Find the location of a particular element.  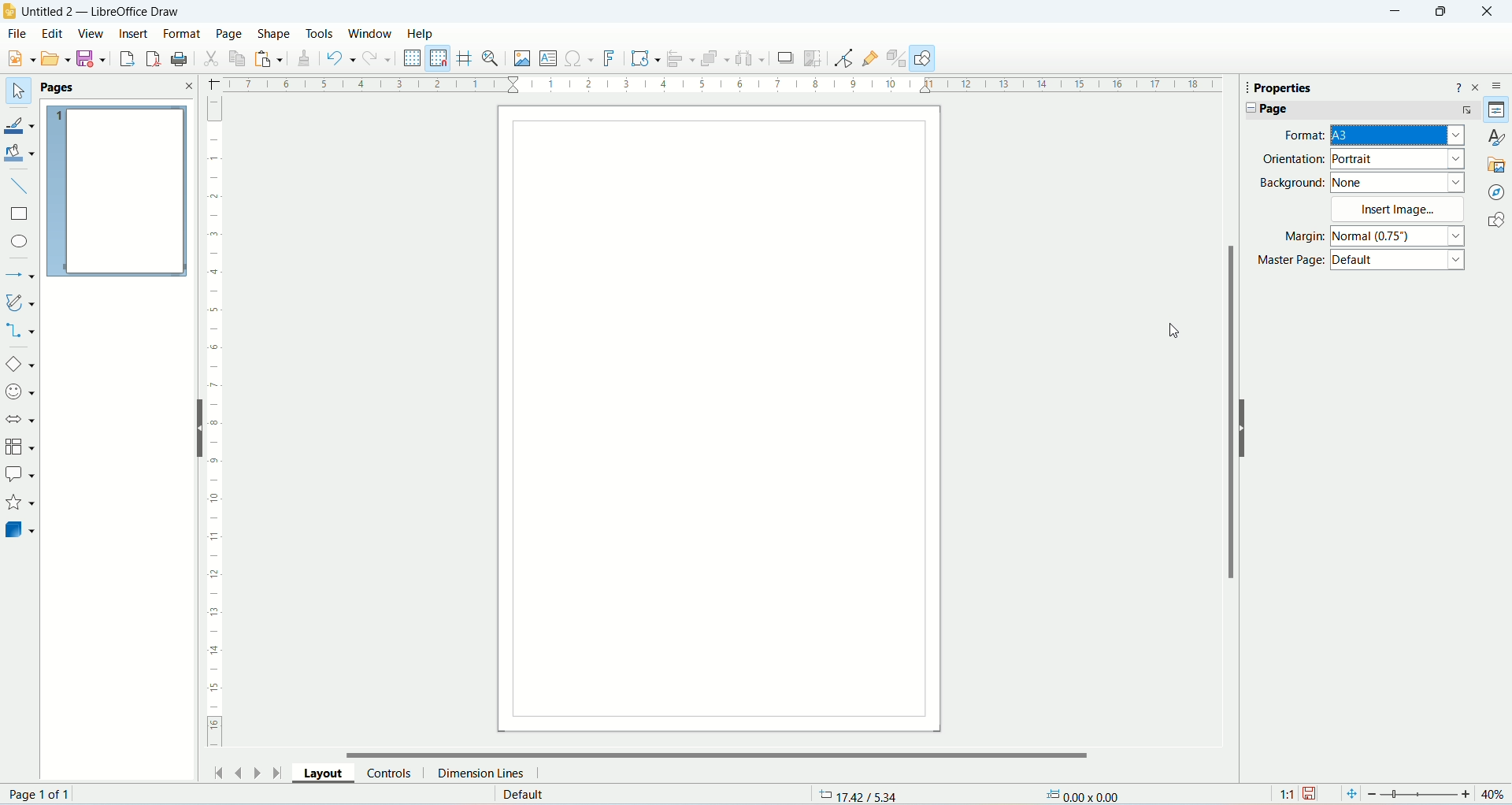

logo is located at coordinates (9, 12).